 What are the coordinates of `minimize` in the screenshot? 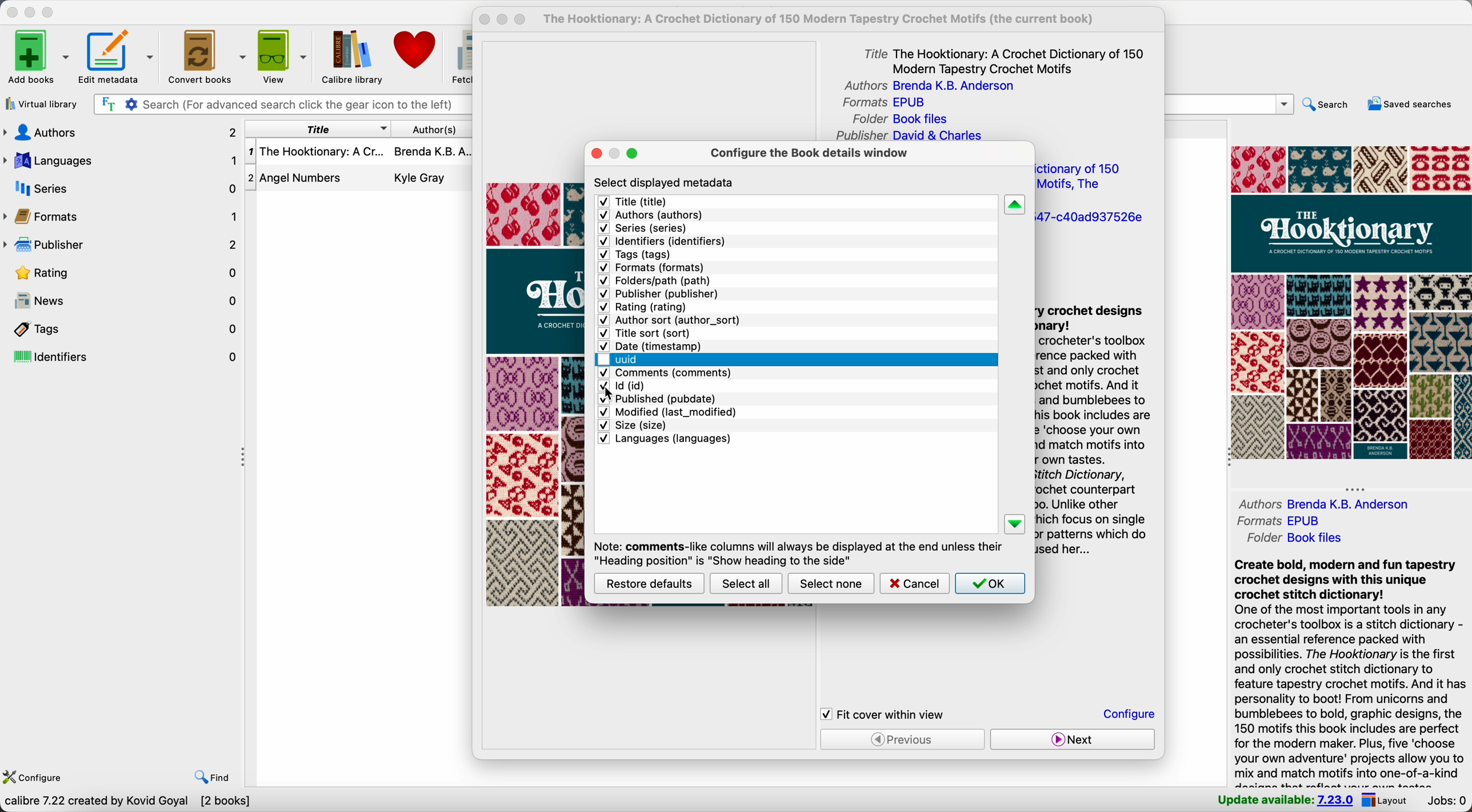 It's located at (33, 11).